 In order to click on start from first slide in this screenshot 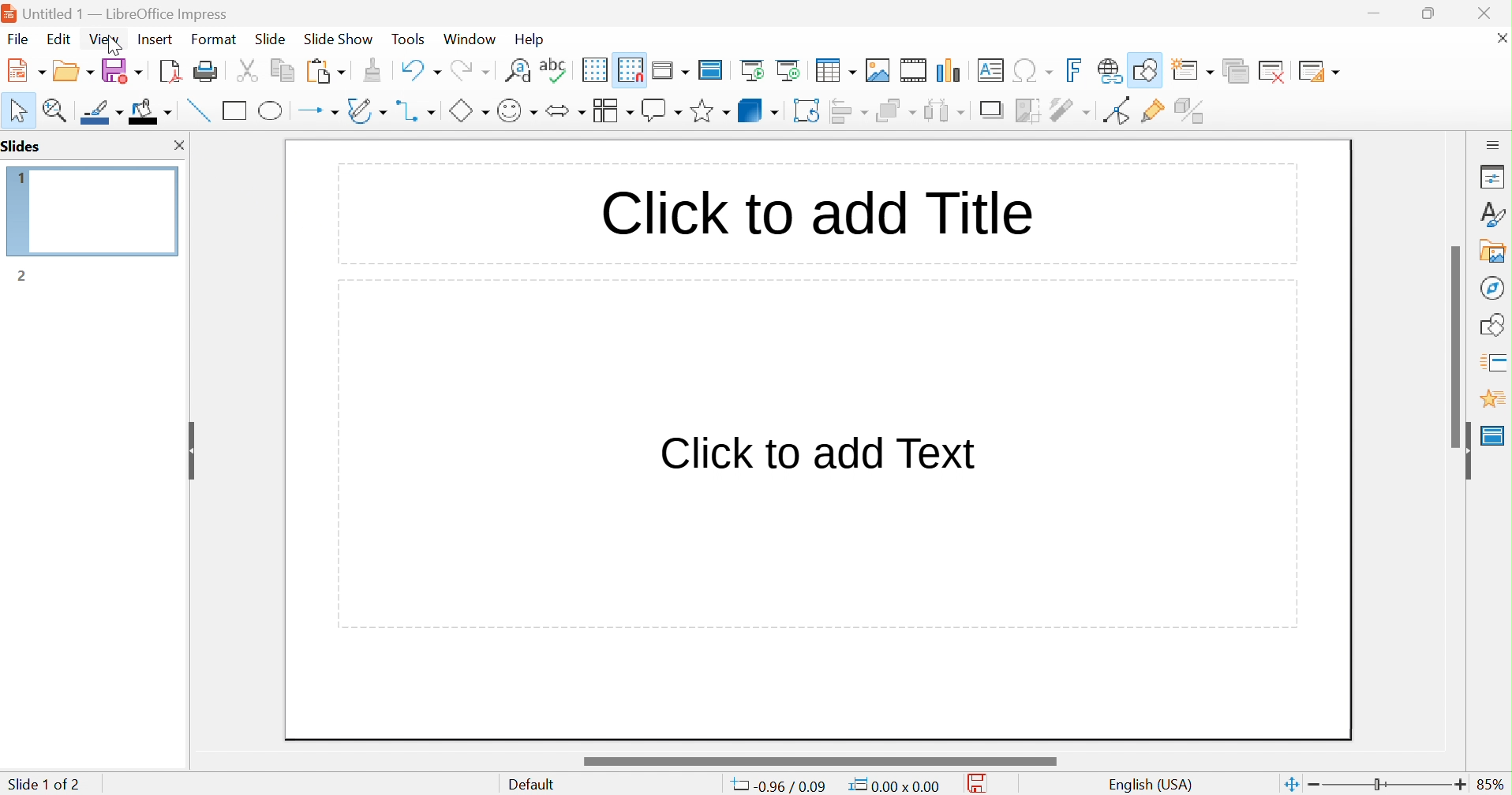, I will do `click(754, 69)`.